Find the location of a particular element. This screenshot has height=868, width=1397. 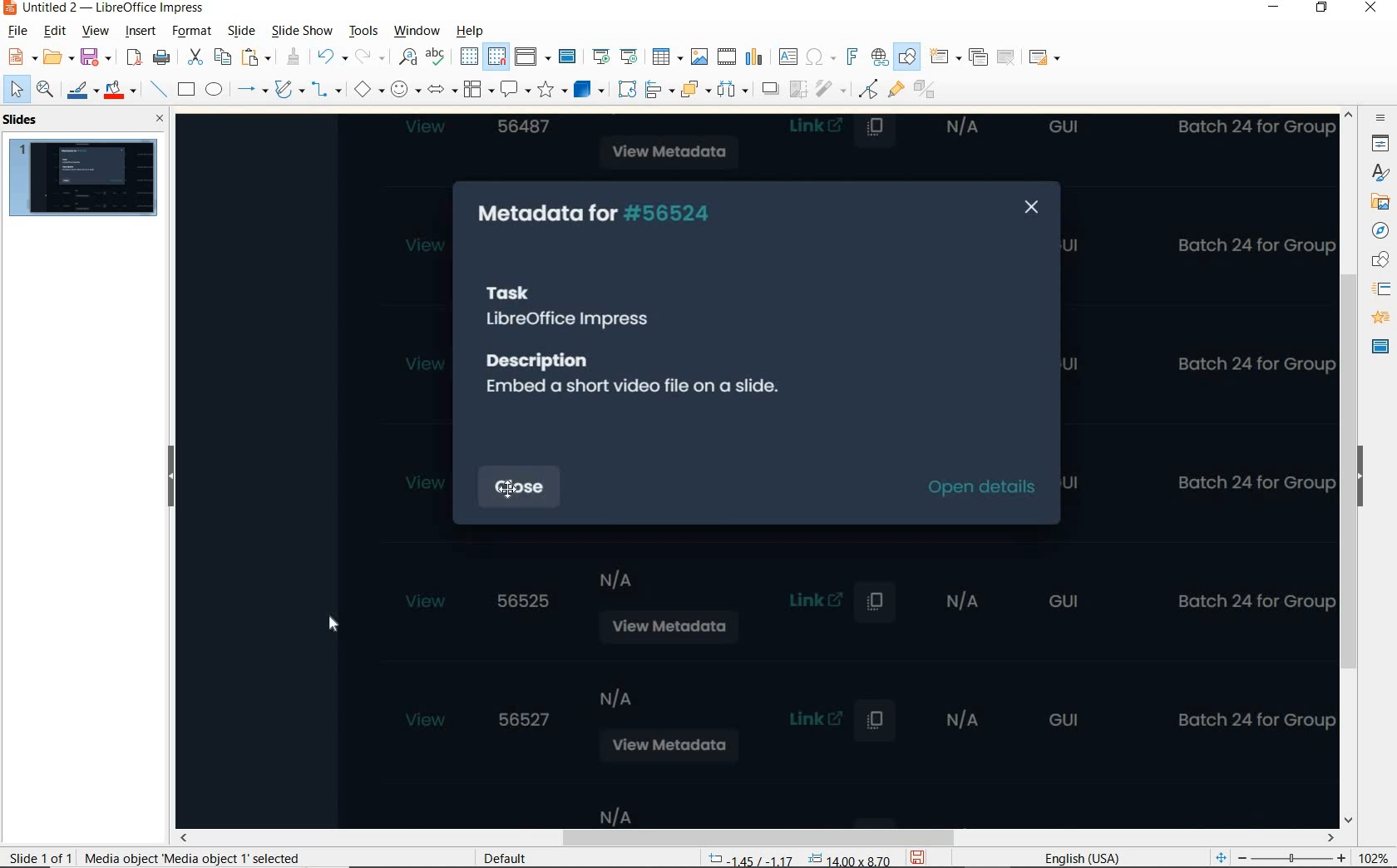

 is located at coordinates (787, 58).